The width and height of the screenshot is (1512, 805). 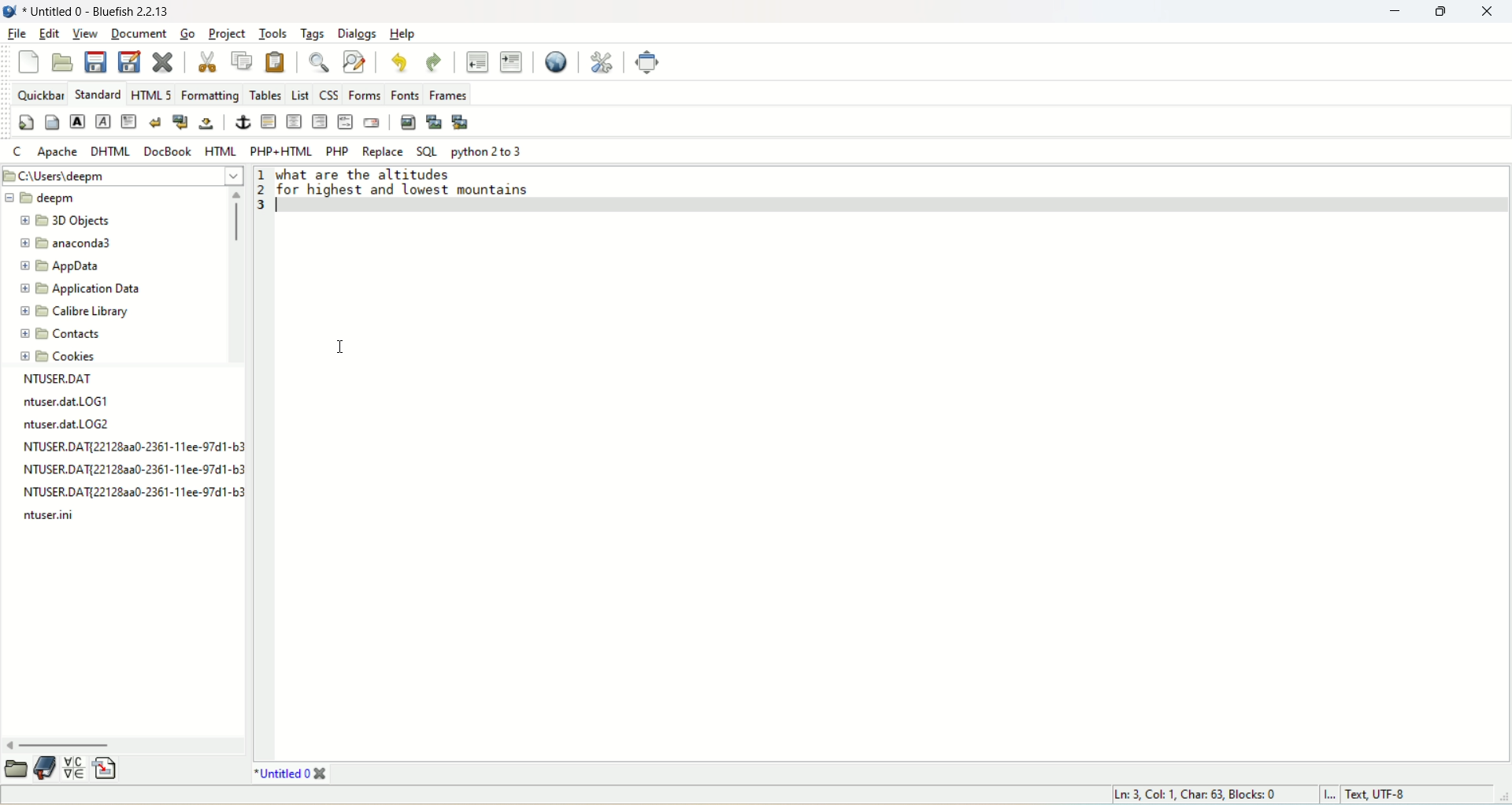 What do you see at coordinates (29, 61) in the screenshot?
I see `new` at bounding box center [29, 61].